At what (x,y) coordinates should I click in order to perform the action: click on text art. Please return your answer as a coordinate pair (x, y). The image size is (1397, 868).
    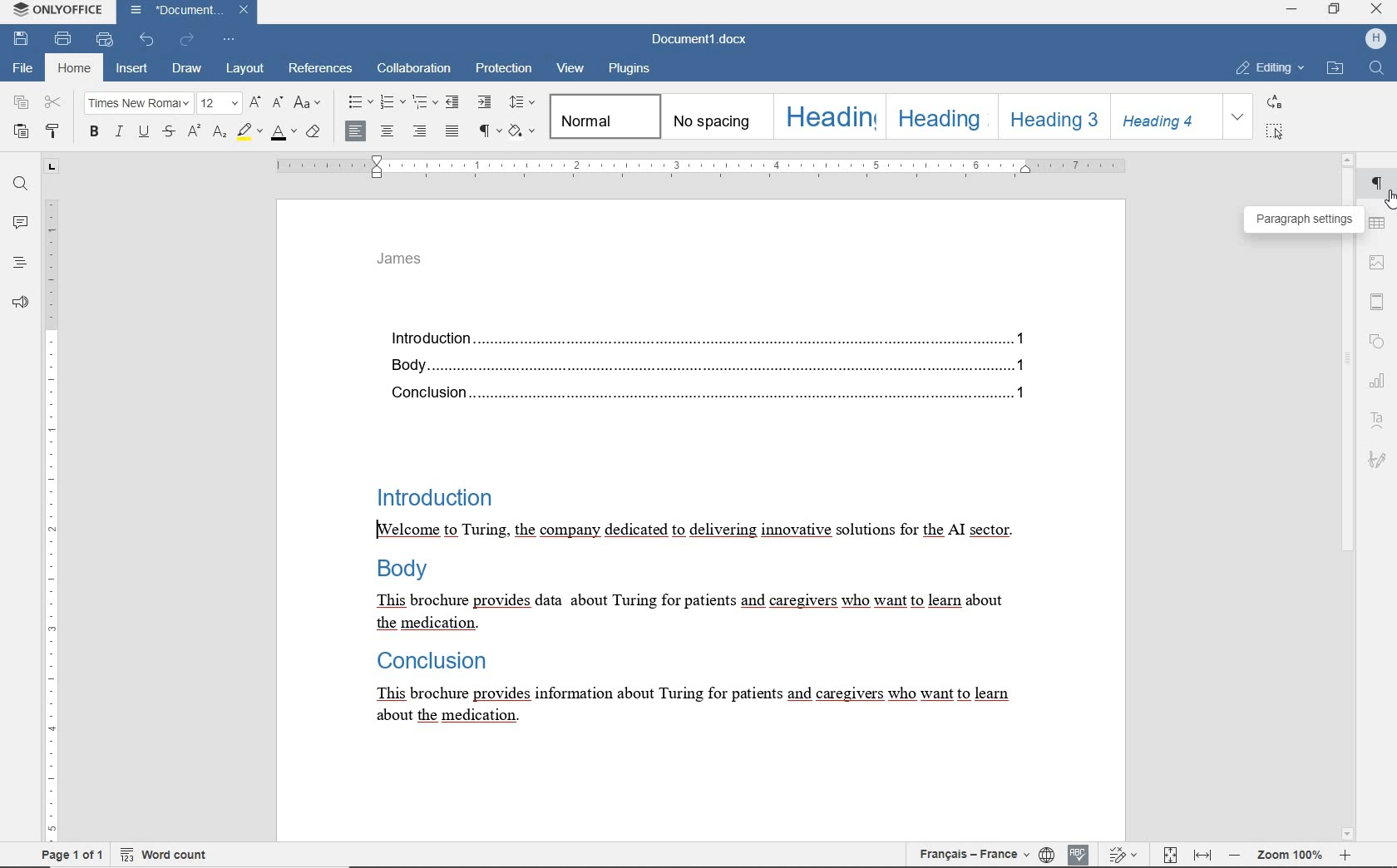
    Looking at the image, I should click on (1377, 420).